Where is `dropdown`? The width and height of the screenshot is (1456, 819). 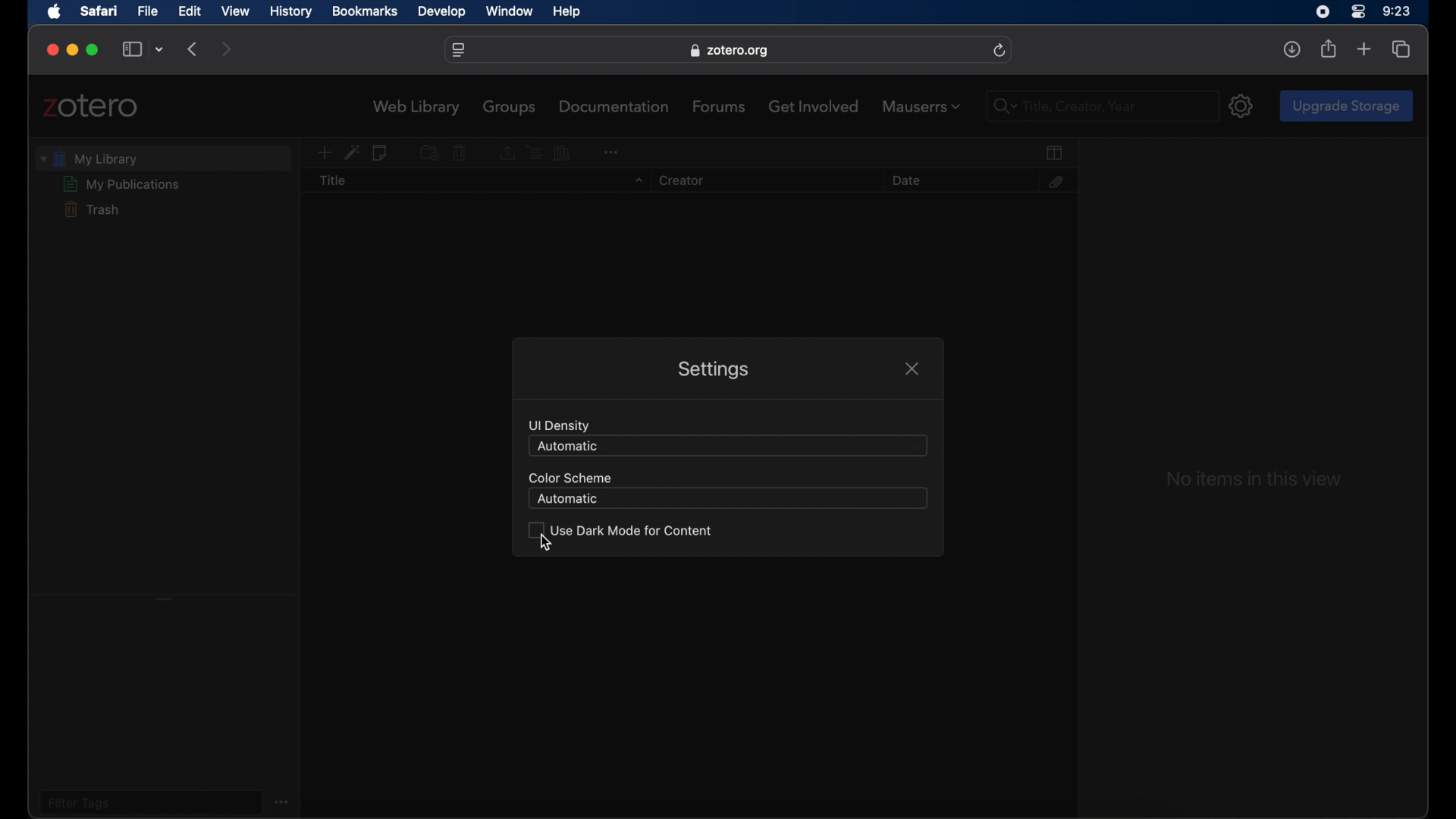 dropdown is located at coordinates (637, 181).